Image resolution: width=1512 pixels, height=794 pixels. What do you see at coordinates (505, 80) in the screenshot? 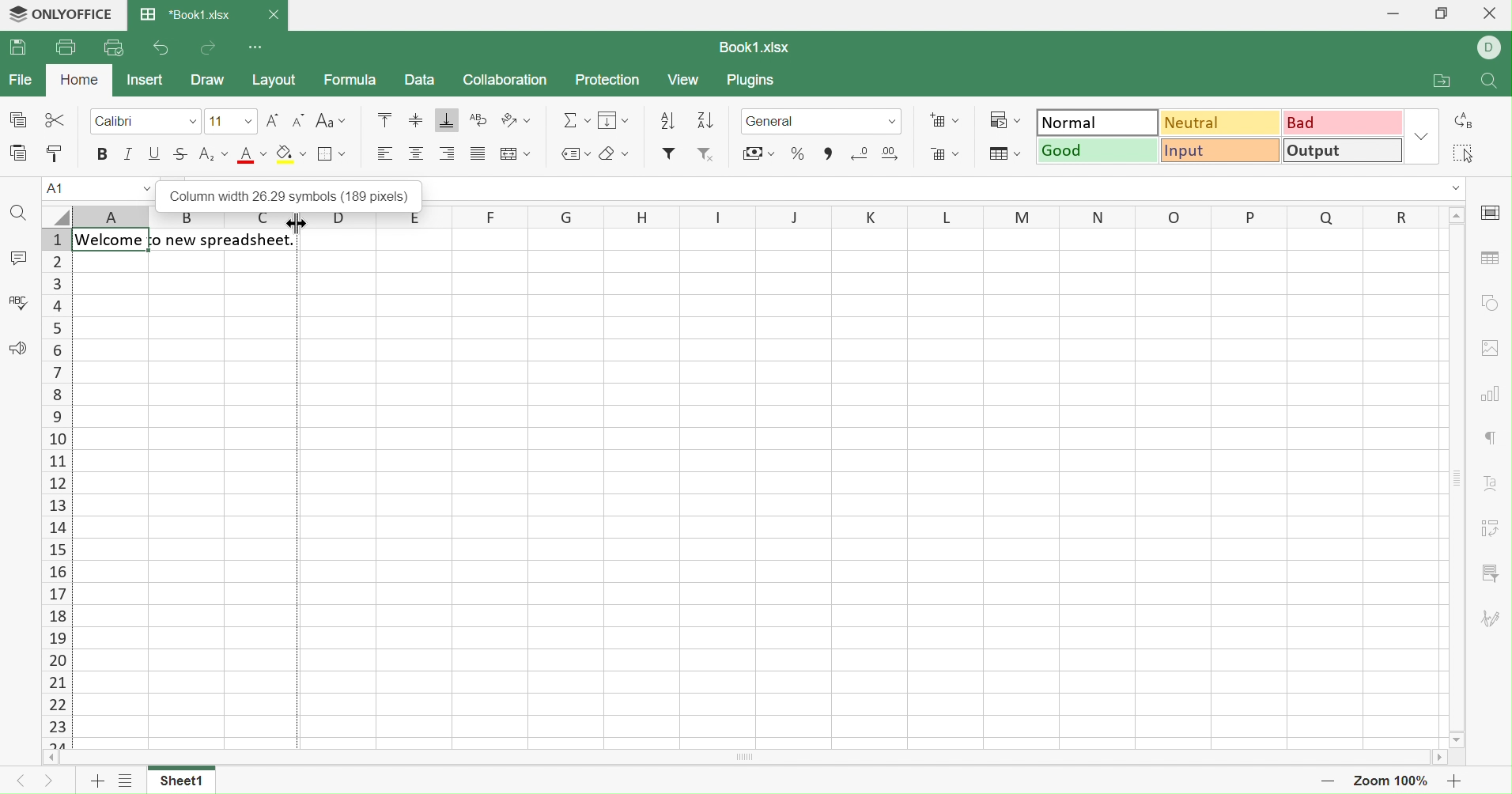
I see `Collection` at bounding box center [505, 80].